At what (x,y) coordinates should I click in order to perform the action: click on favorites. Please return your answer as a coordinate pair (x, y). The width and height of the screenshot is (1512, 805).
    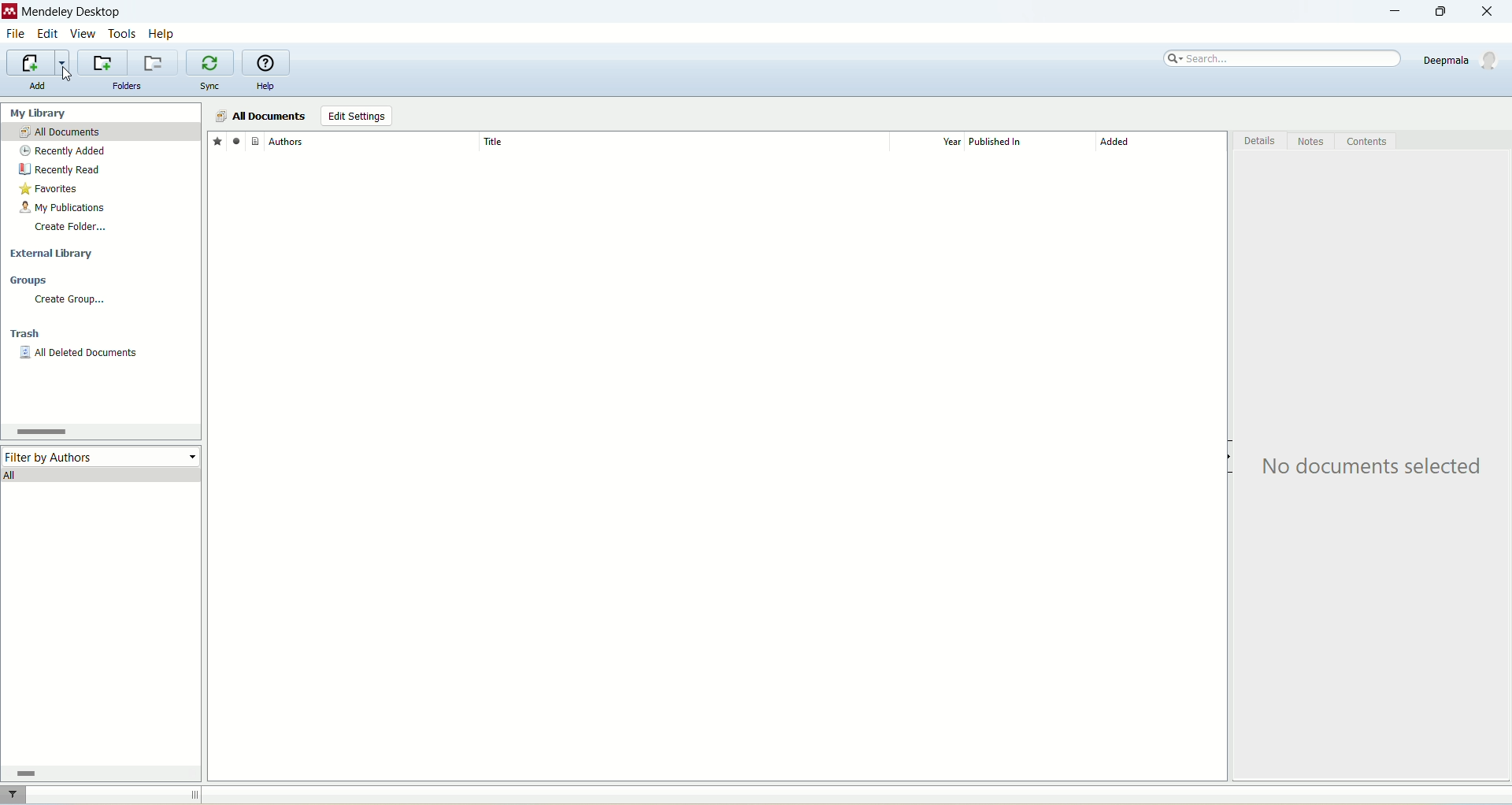
    Looking at the image, I should click on (217, 140).